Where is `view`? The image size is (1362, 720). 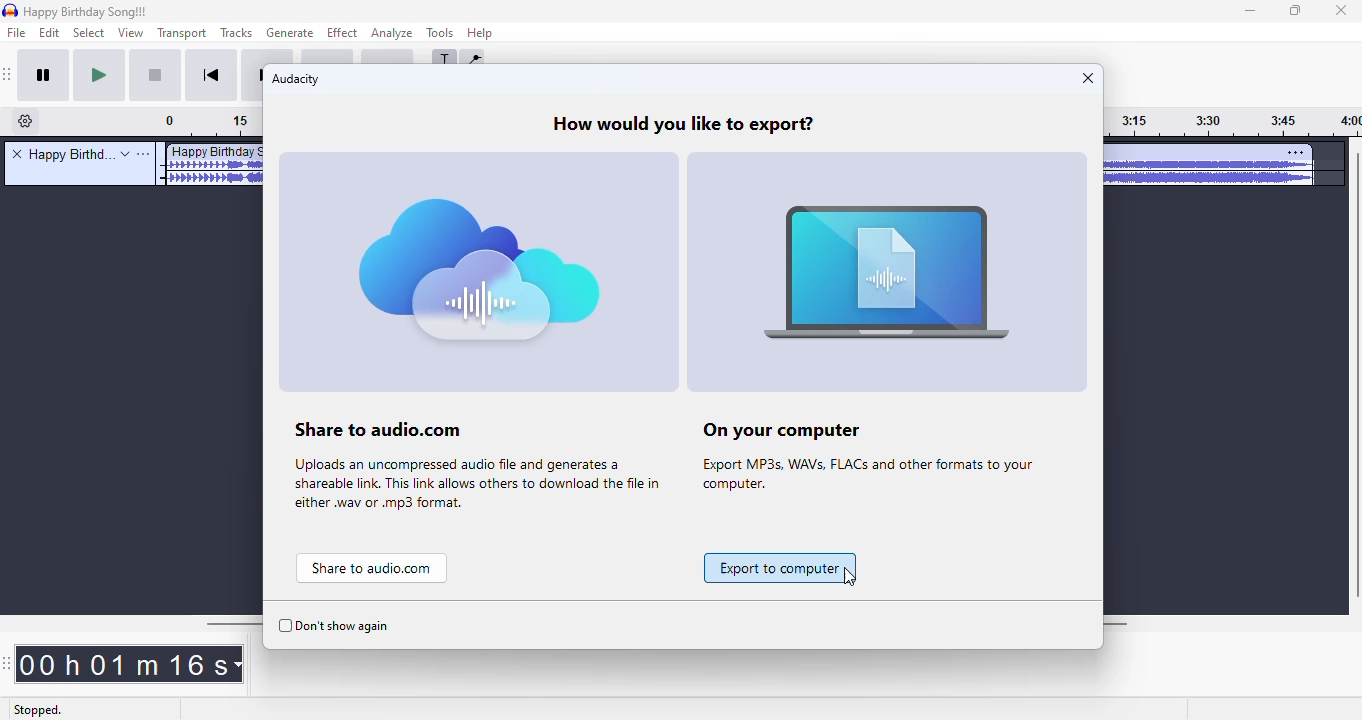
view is located at coordinates (129, 33).